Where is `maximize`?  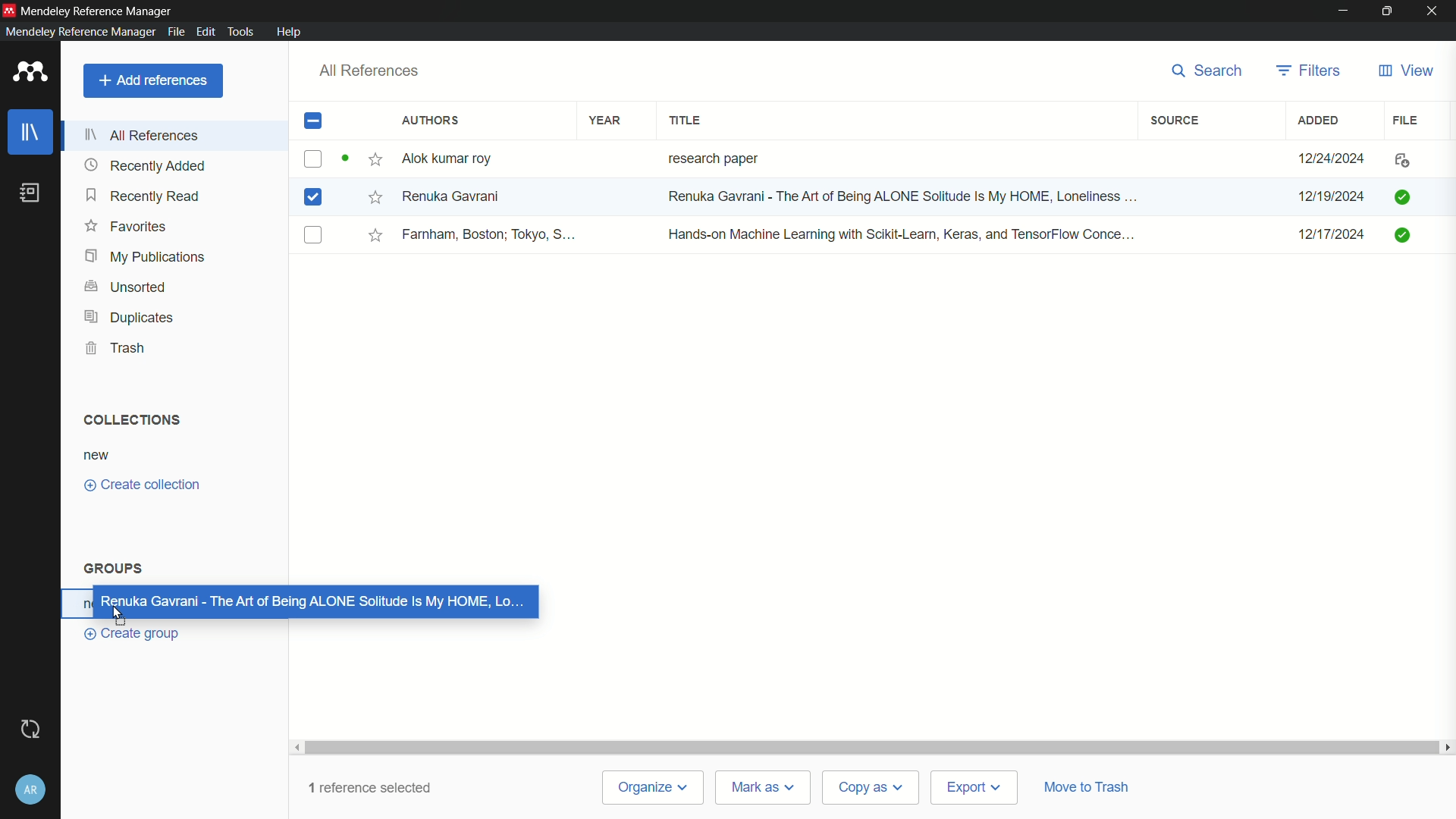
maximize is located at coordinates (1388, 11).